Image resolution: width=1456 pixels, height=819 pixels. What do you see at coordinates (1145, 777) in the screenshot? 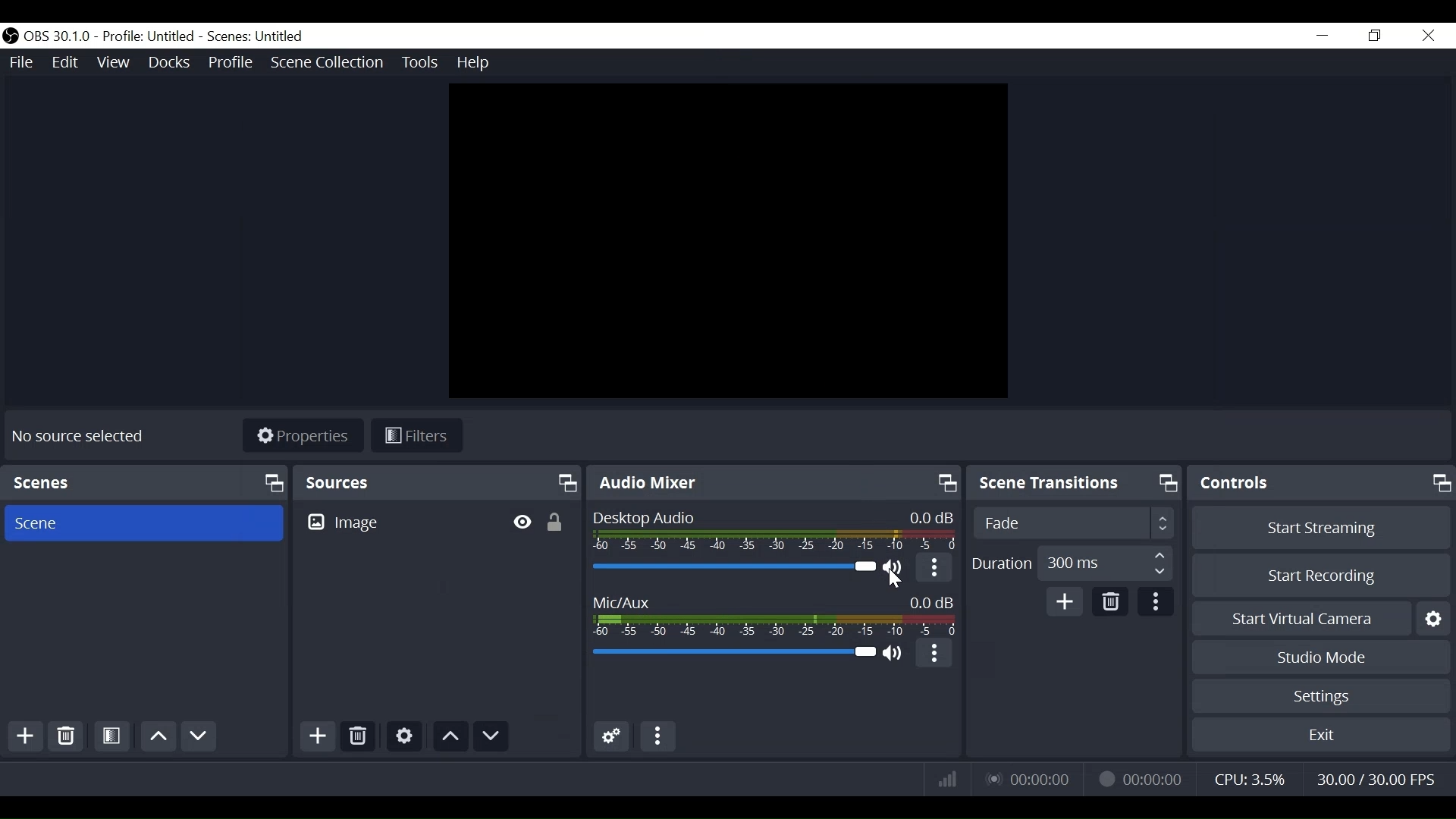
I see `Recording` at bounding box center [1145, 777].